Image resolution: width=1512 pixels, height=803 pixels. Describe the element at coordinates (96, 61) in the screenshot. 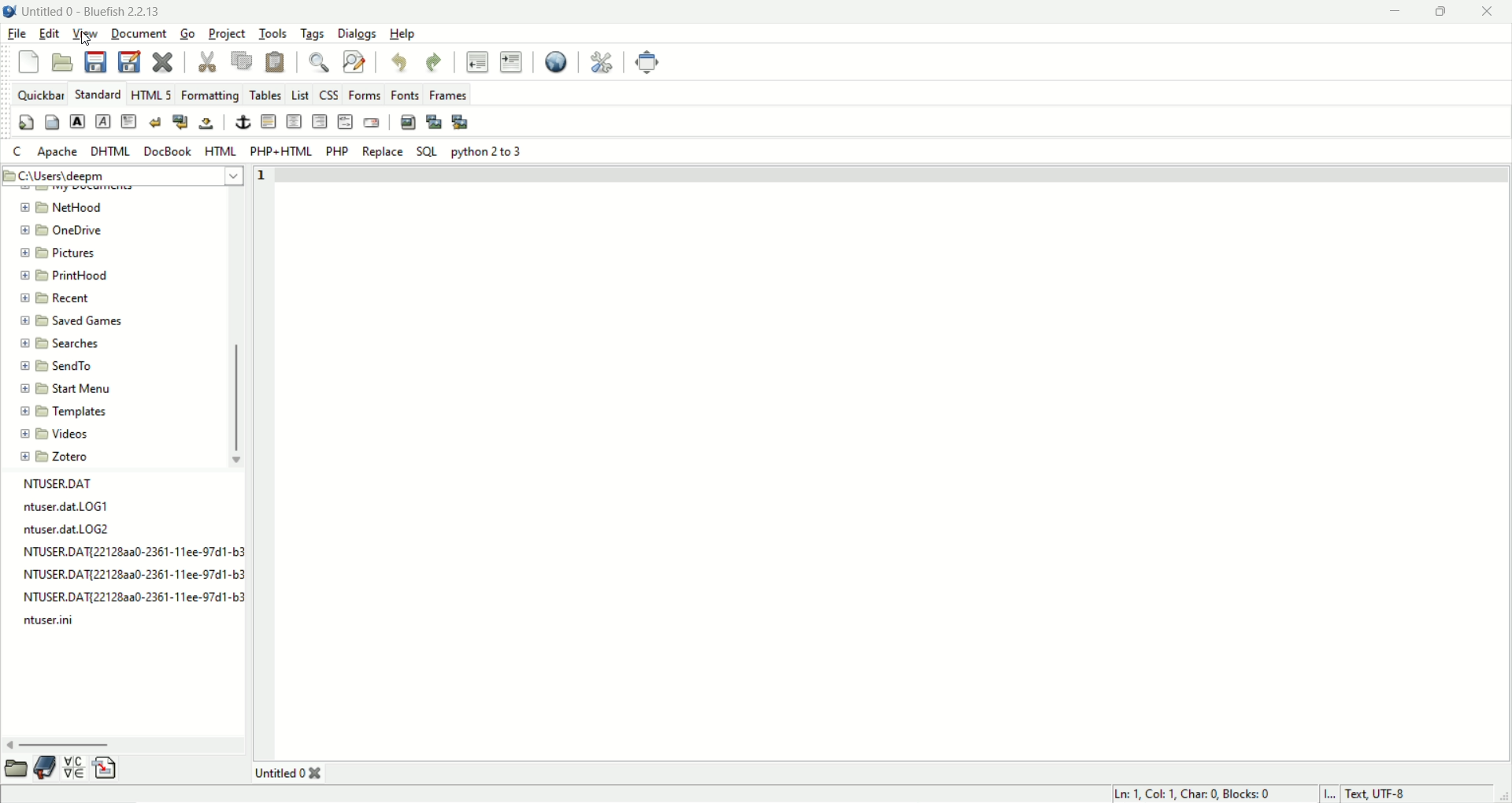

I see `save curent file` at that location.